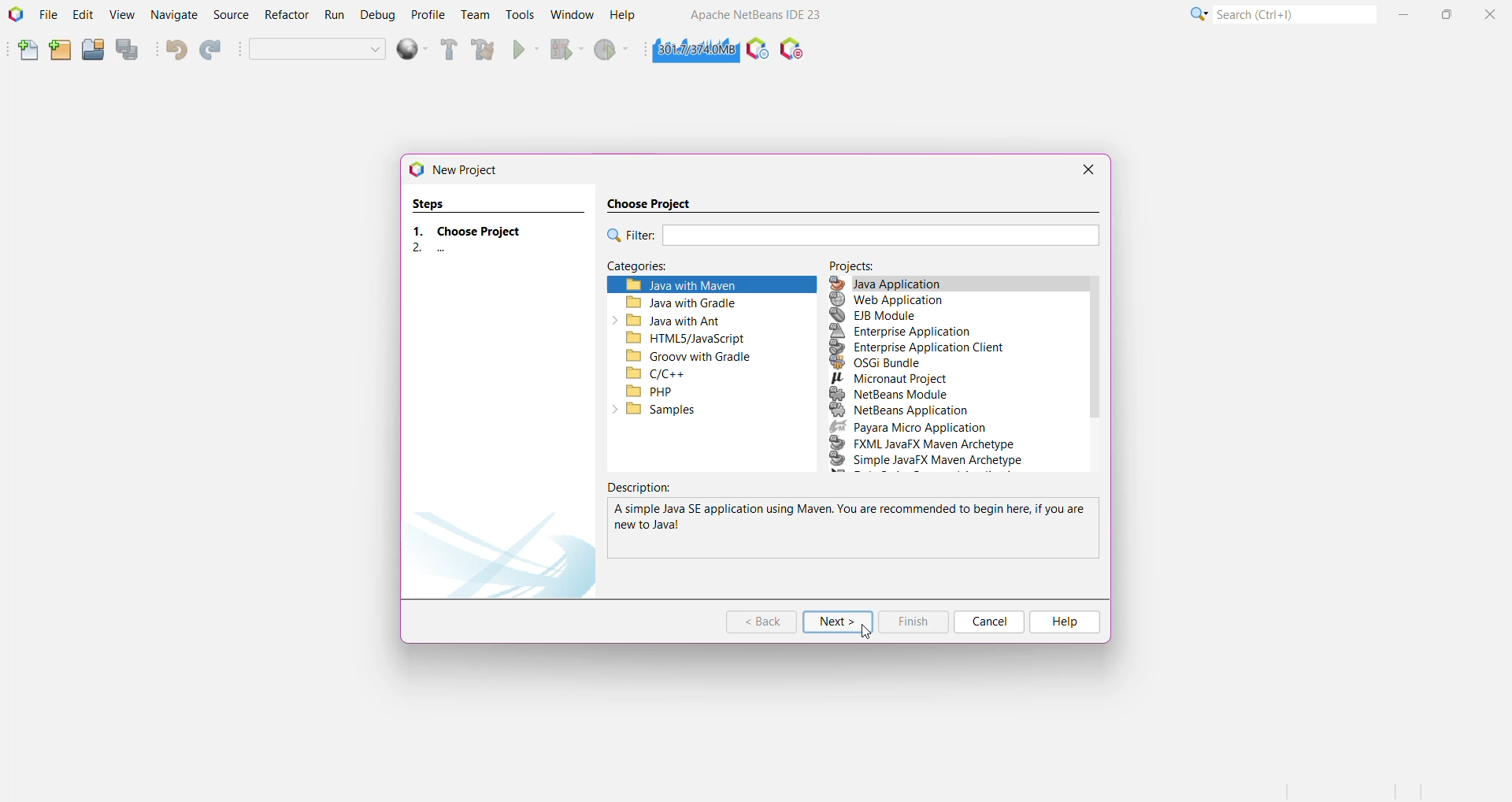  Describe the element at coordinates (933, 444) in the screenshot. I see `FXML JavaFX Maven Archetype` at that location.